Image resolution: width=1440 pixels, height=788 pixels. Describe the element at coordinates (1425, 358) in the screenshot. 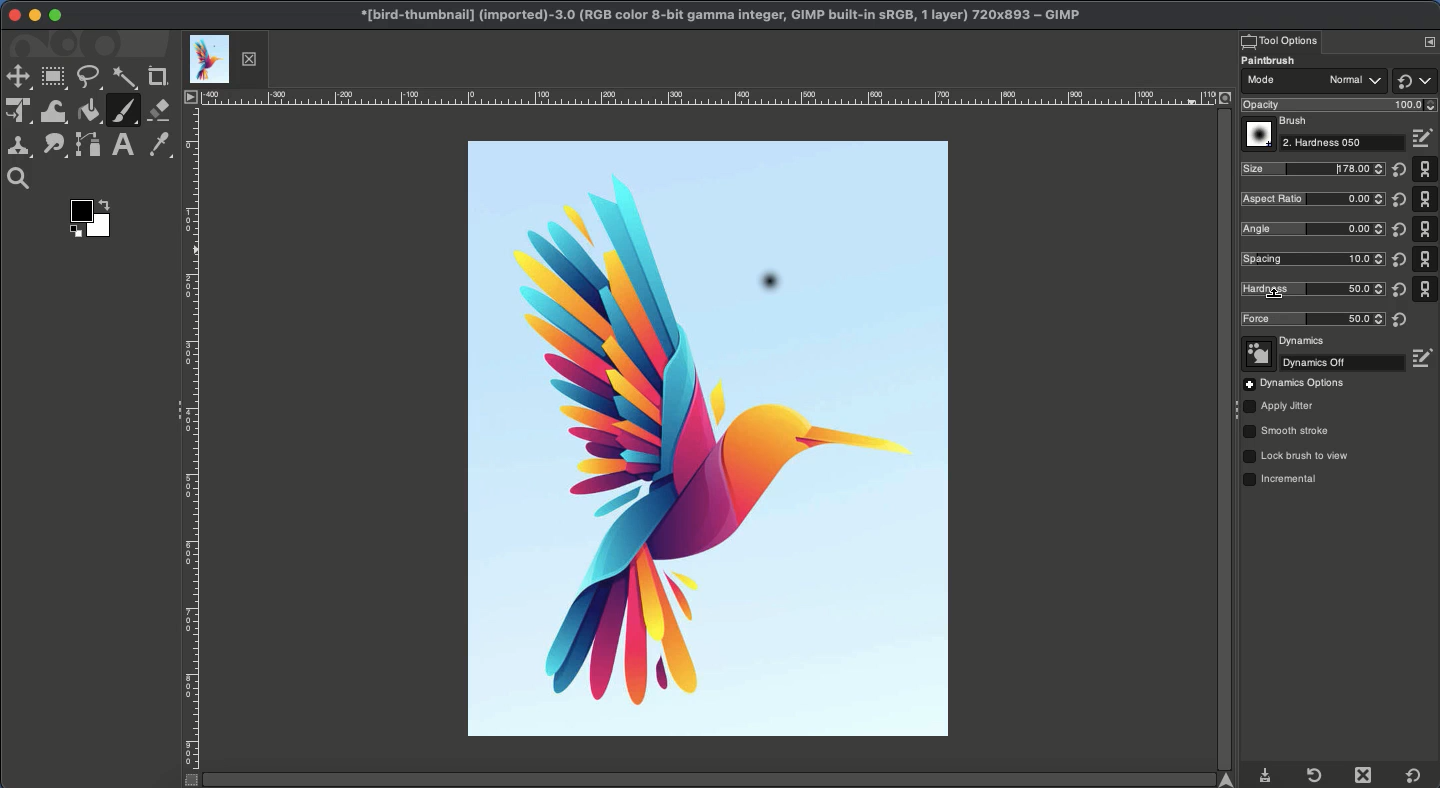

I see `Edit` at that location.